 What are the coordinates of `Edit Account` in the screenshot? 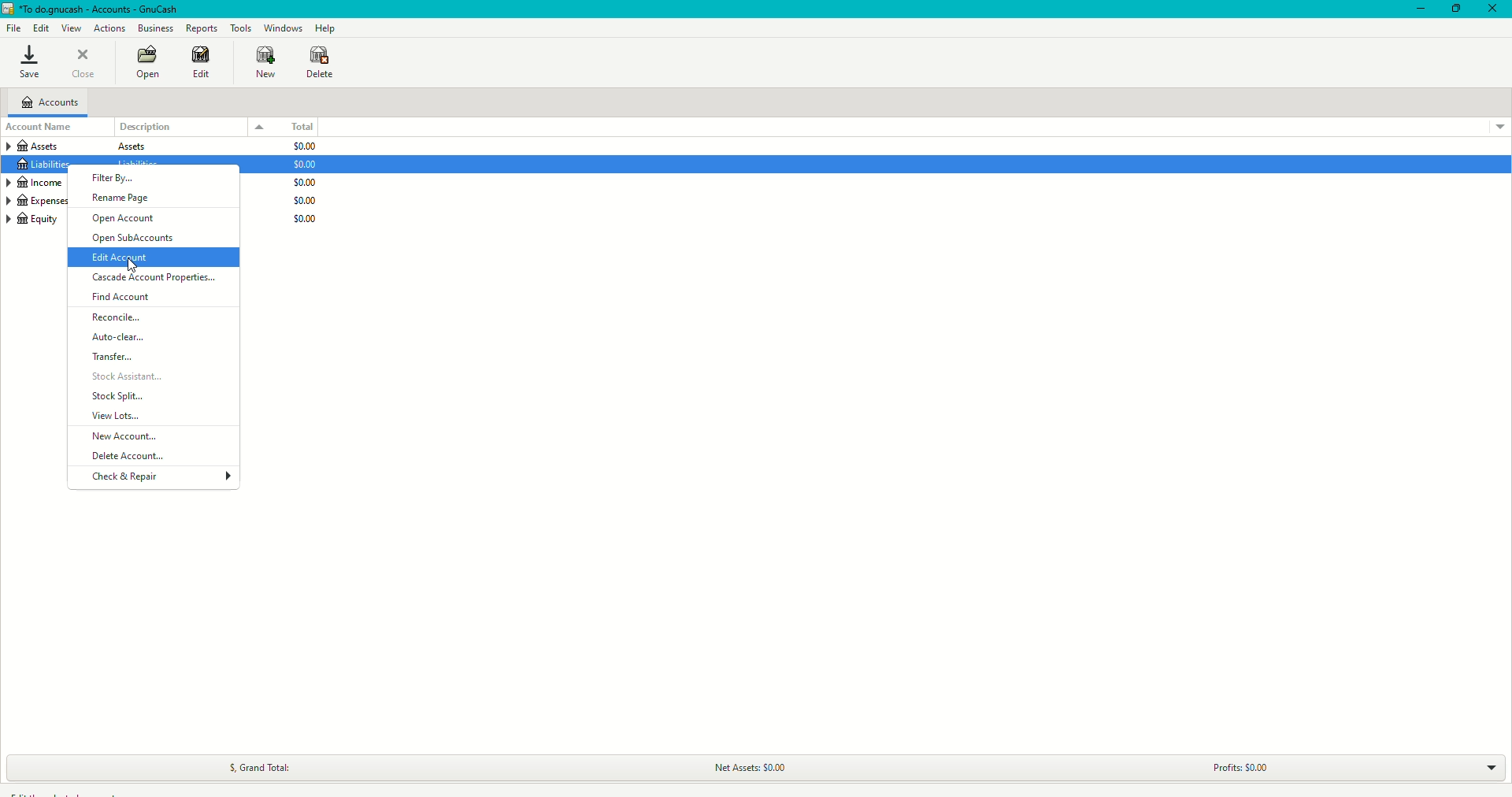 It's located at (124, 258).